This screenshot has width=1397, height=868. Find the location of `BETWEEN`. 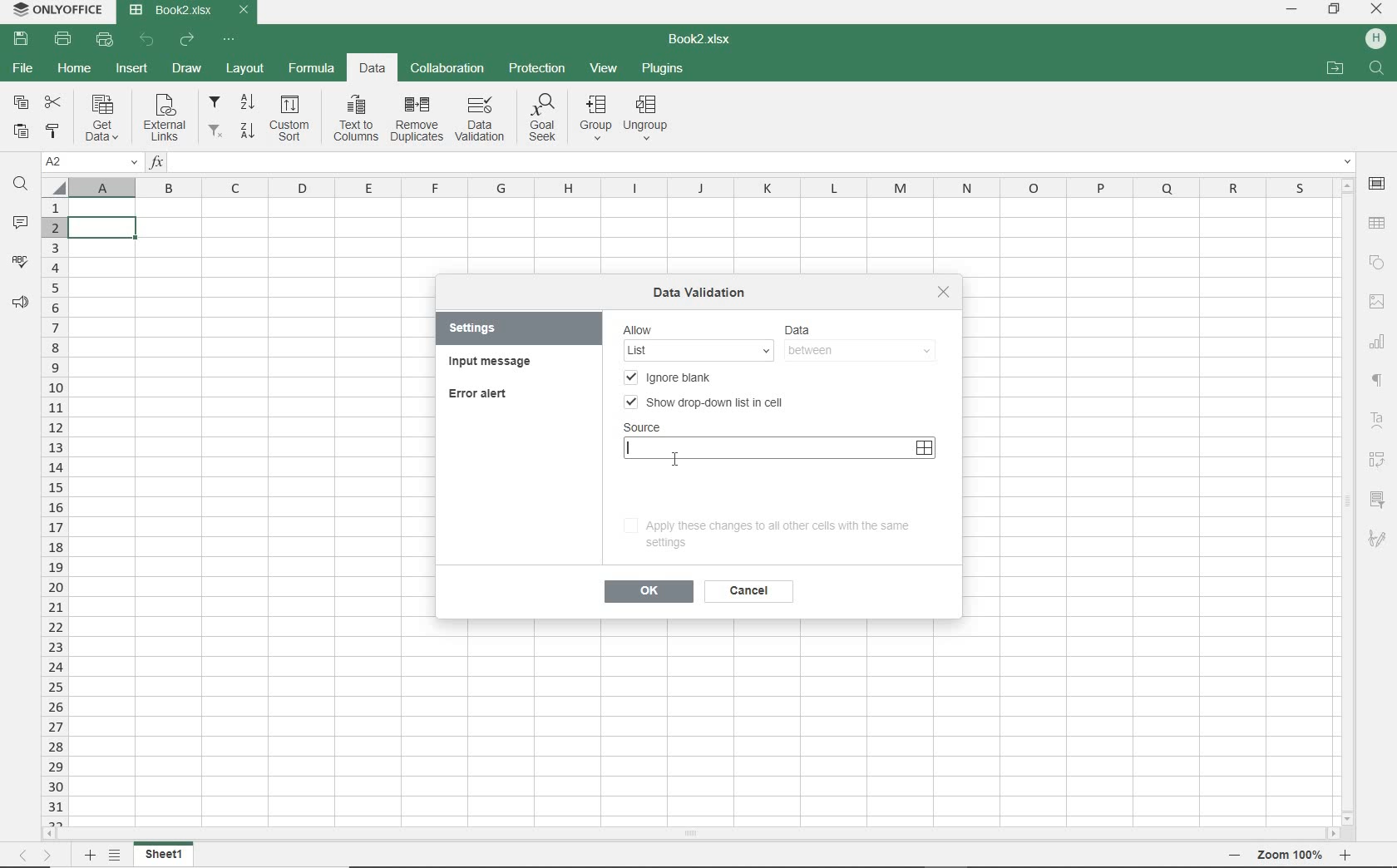

BETWEEN is located at coordinates (861, 352).